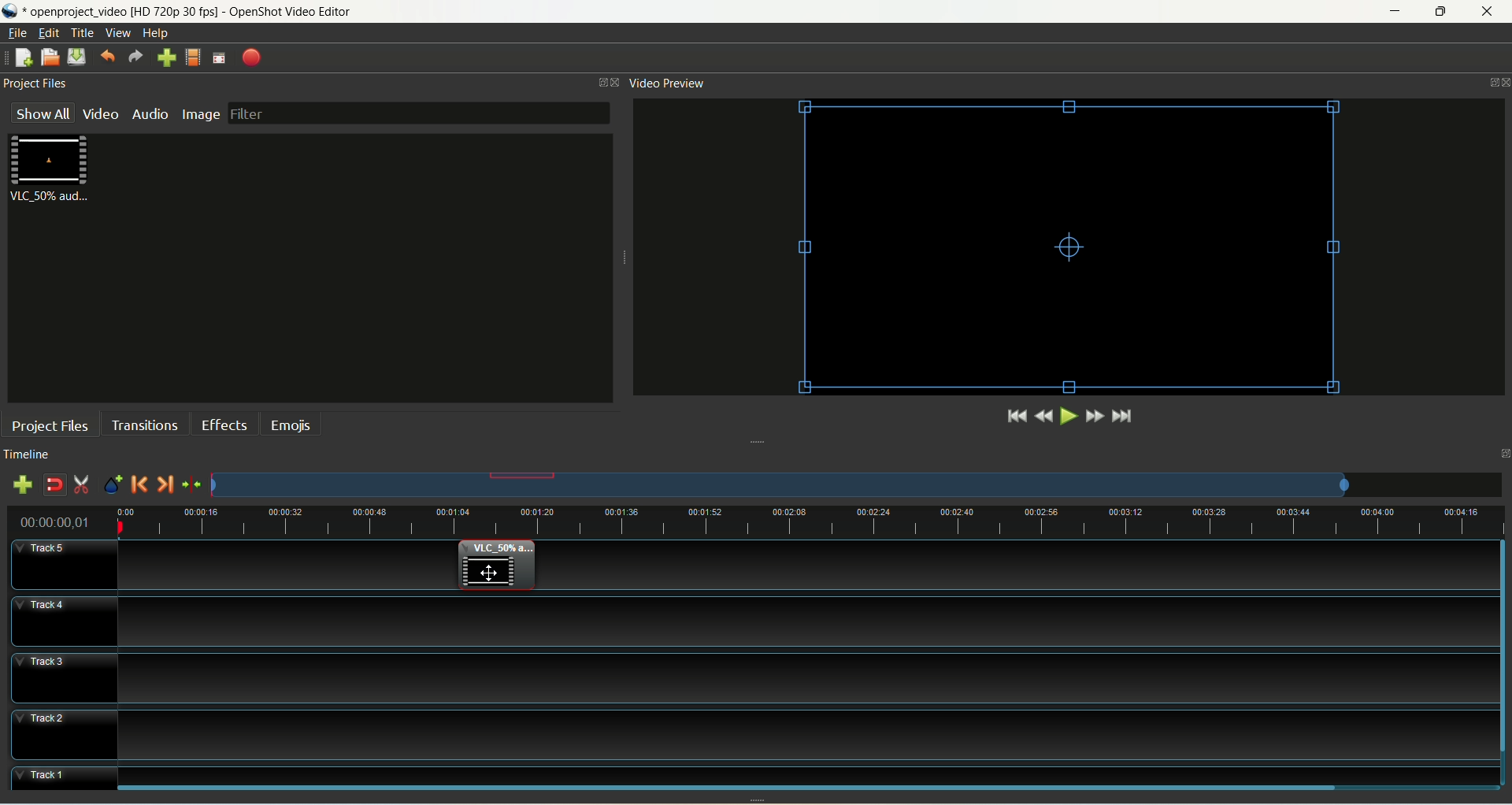 The width and height of the screenshot is (1512, 805). What do you see at coordinates (1045, 416) in the screenshot?
I see `rewind` at bounding box center [1045, 416].